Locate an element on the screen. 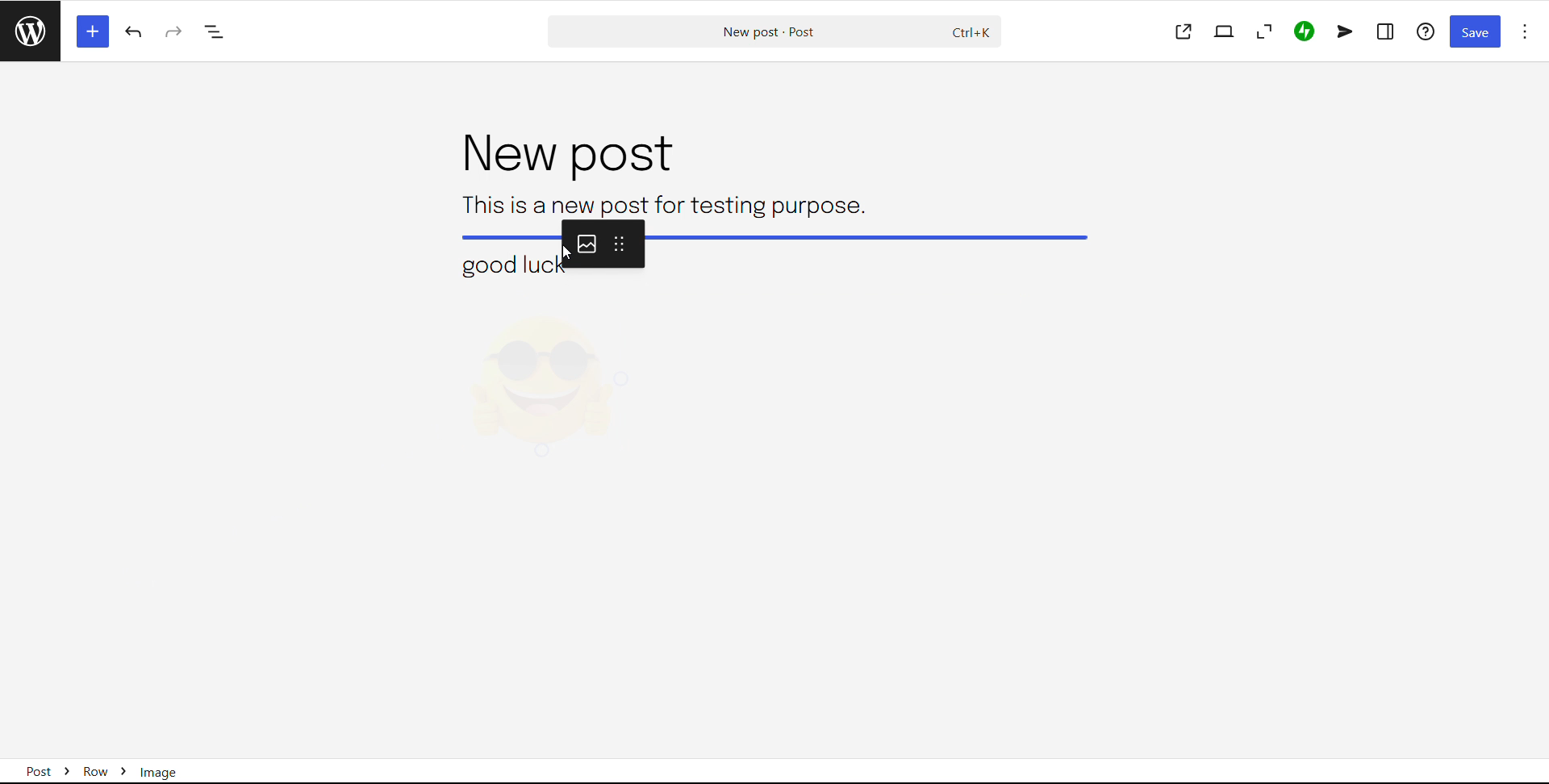 The height and width of the screenshot is (784, 1549). save is located at coordinates (1475, 32).